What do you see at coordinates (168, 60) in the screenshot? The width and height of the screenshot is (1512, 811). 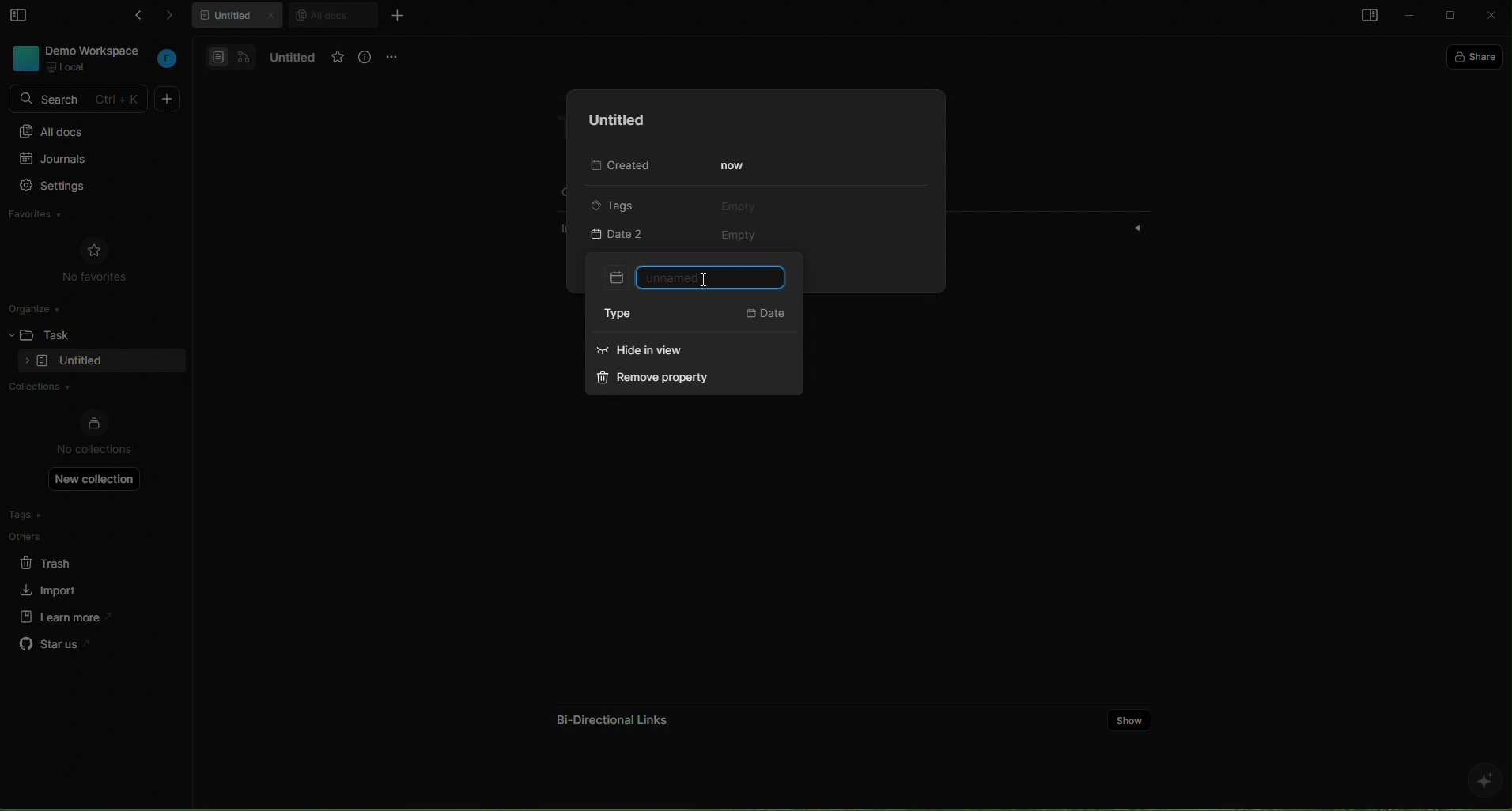 I see `workspace initial` at bounding box center [168, 60].